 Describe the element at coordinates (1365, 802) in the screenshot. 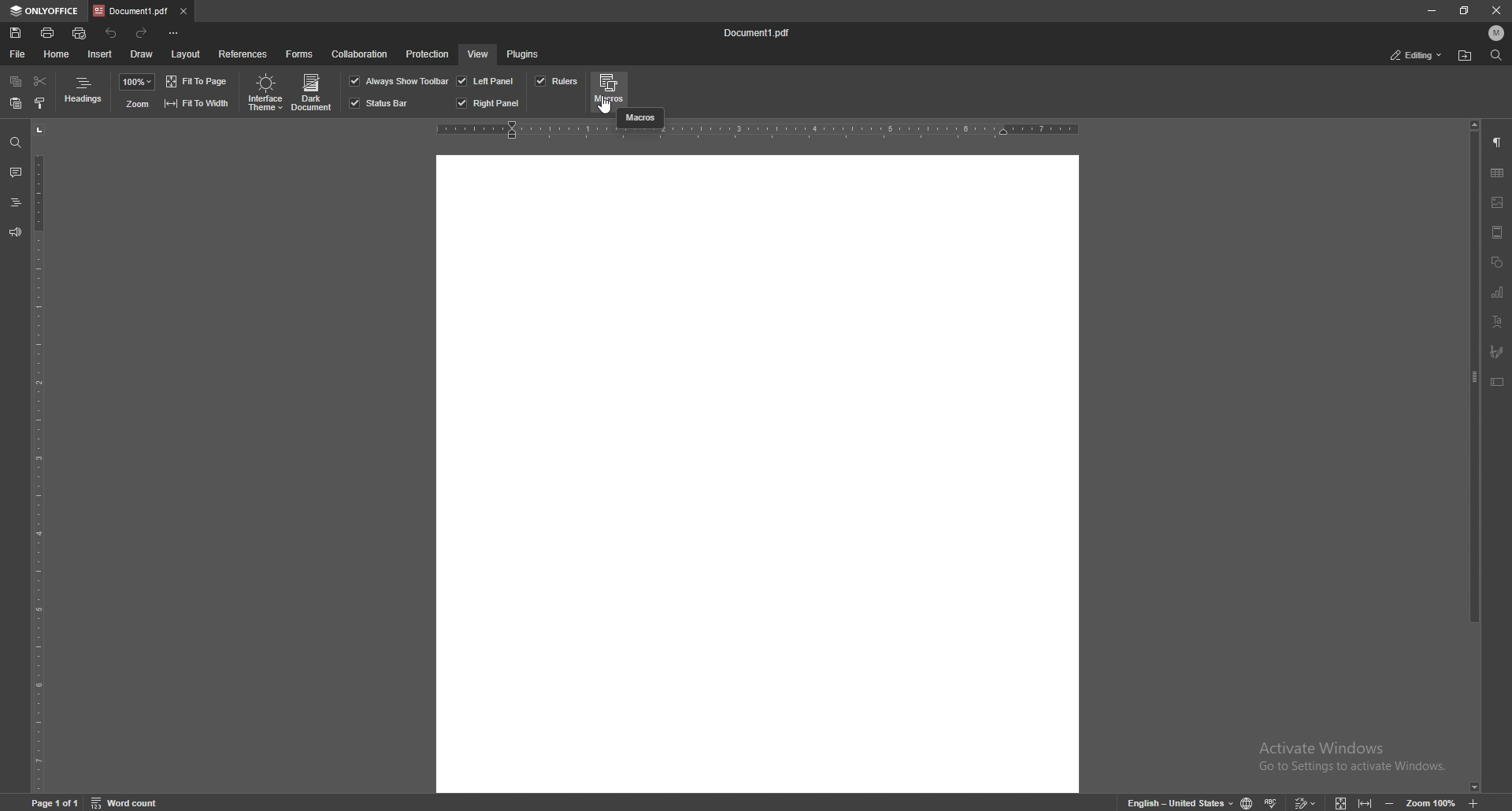

I see `fit to width` at that location.